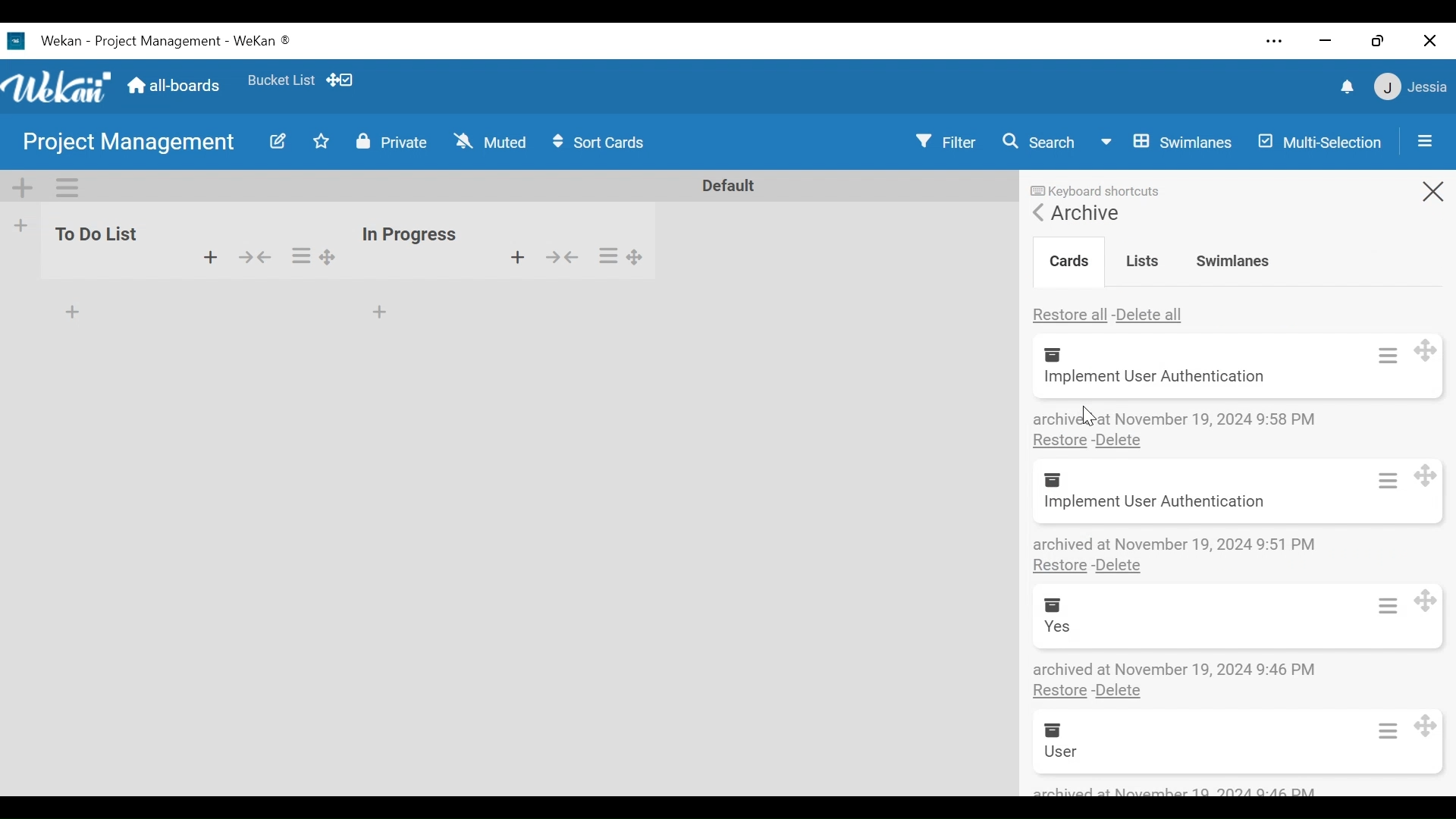  I want to click on to do list, so click(97, 243).